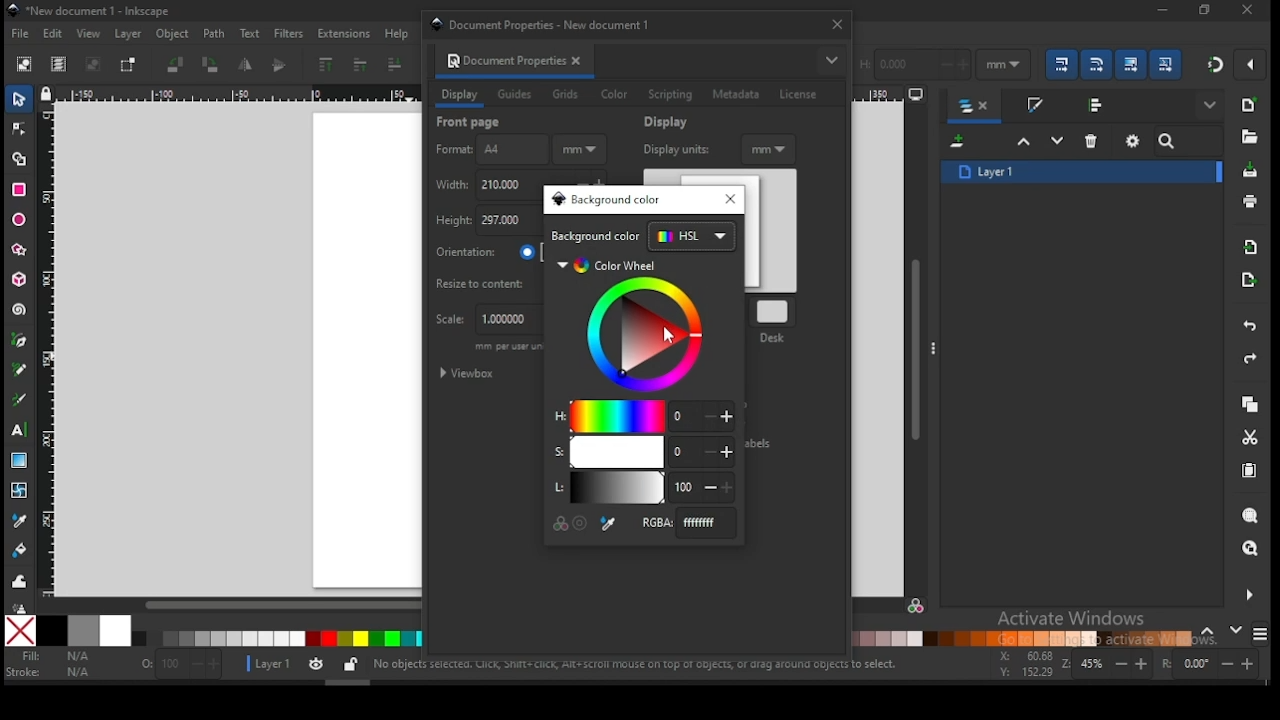  What do you see at coordinates (614, 95) in the screenshot?
I see `color` at bounding box center [614, 95].